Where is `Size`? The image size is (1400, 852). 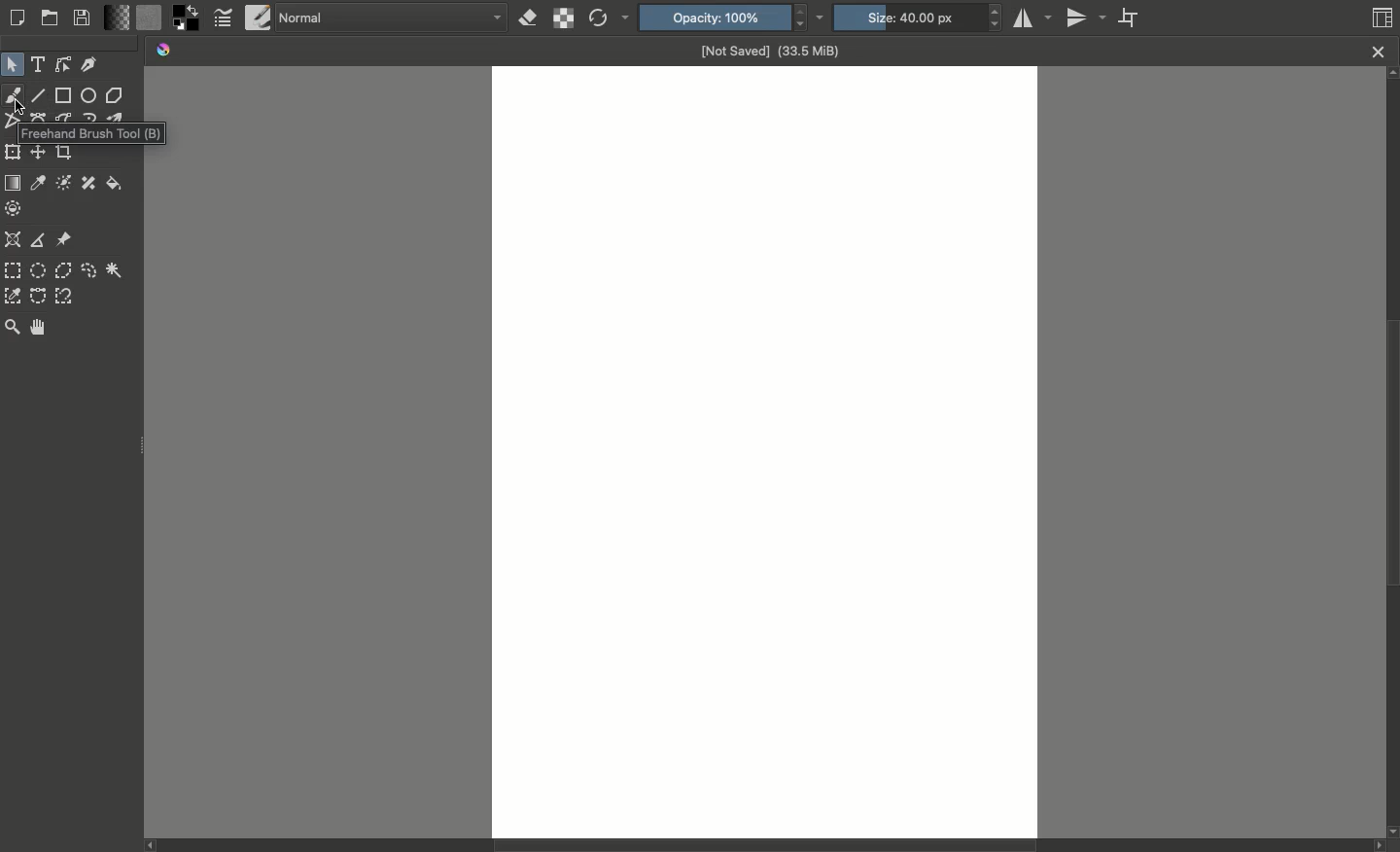
Size is located at coordinates (918, 18).